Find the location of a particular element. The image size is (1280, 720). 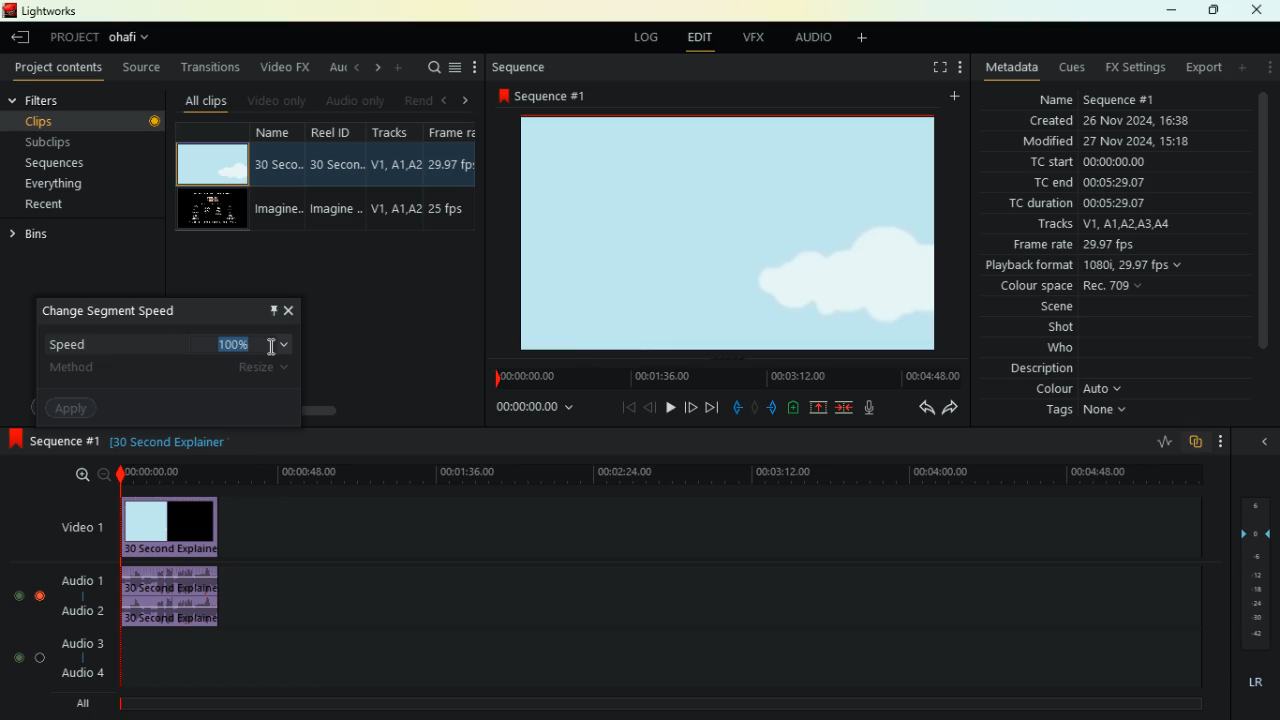

fx settings is located at coordinates (1134, 68).